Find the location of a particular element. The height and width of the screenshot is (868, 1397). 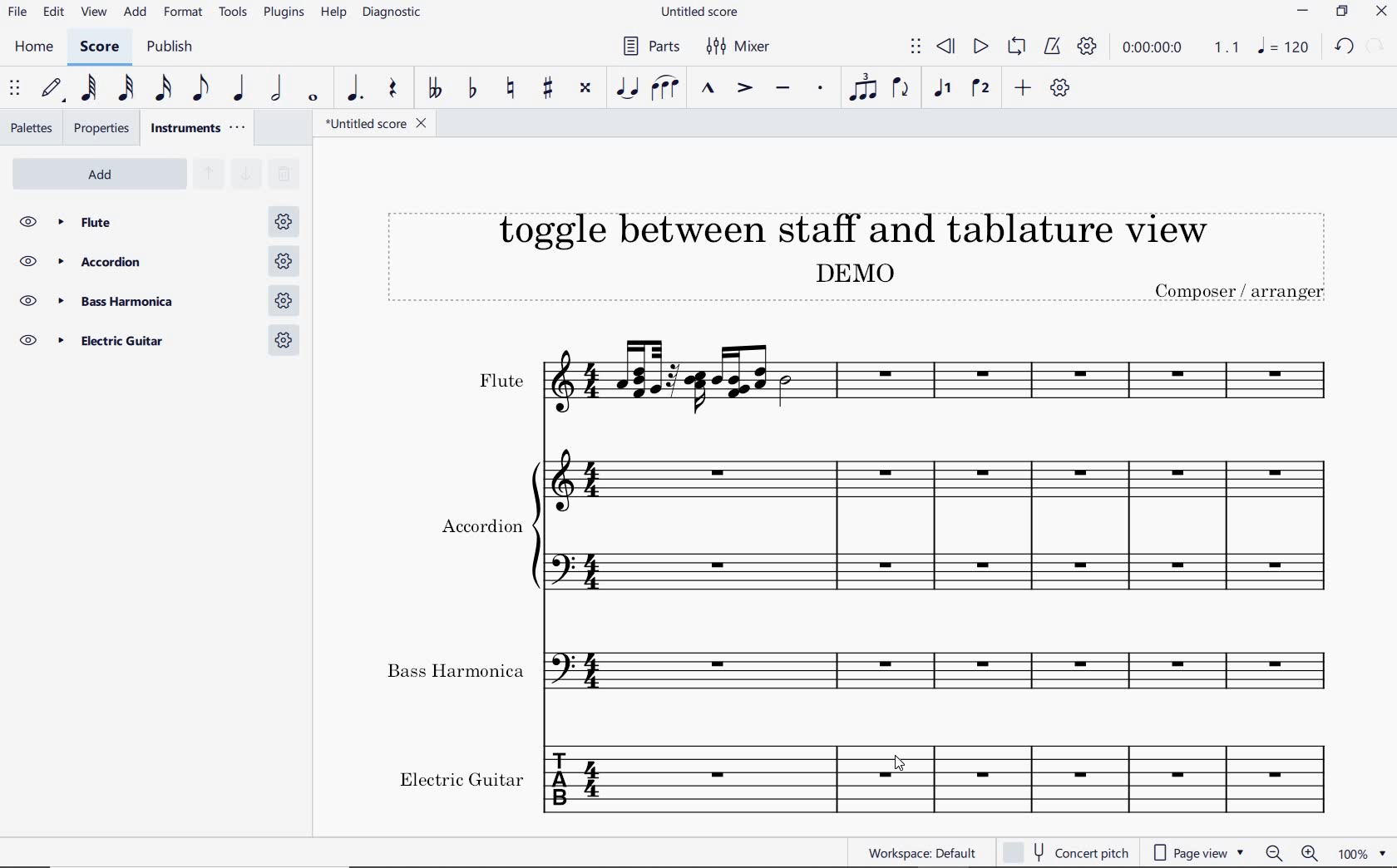

voice1 is located at coordinates (945, 89).